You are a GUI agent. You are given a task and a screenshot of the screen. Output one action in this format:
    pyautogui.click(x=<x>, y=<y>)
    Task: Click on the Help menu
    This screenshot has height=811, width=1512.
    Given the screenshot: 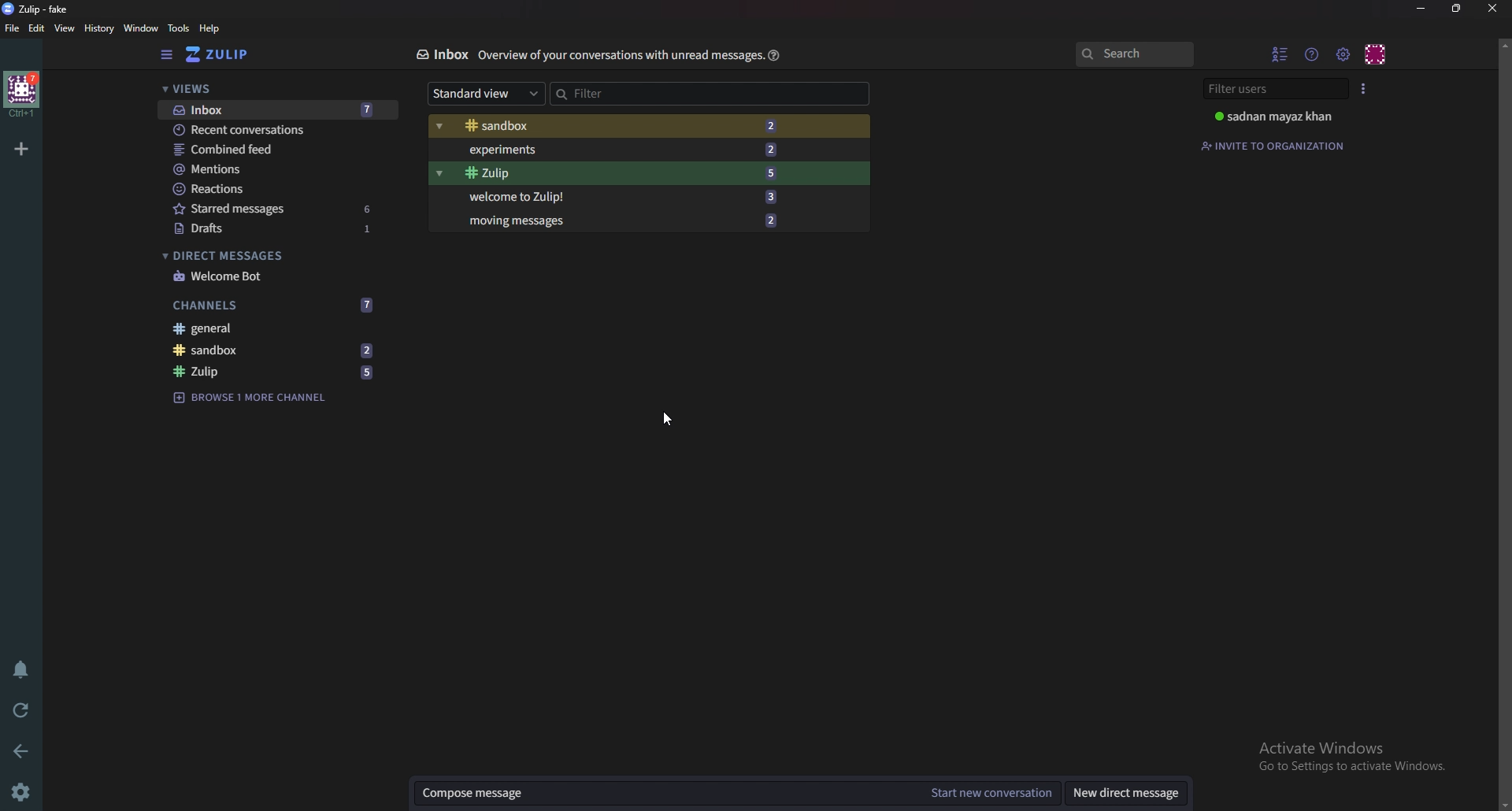 What is the action you would take?
    pyautogui.click(x=1313, y=52)
    